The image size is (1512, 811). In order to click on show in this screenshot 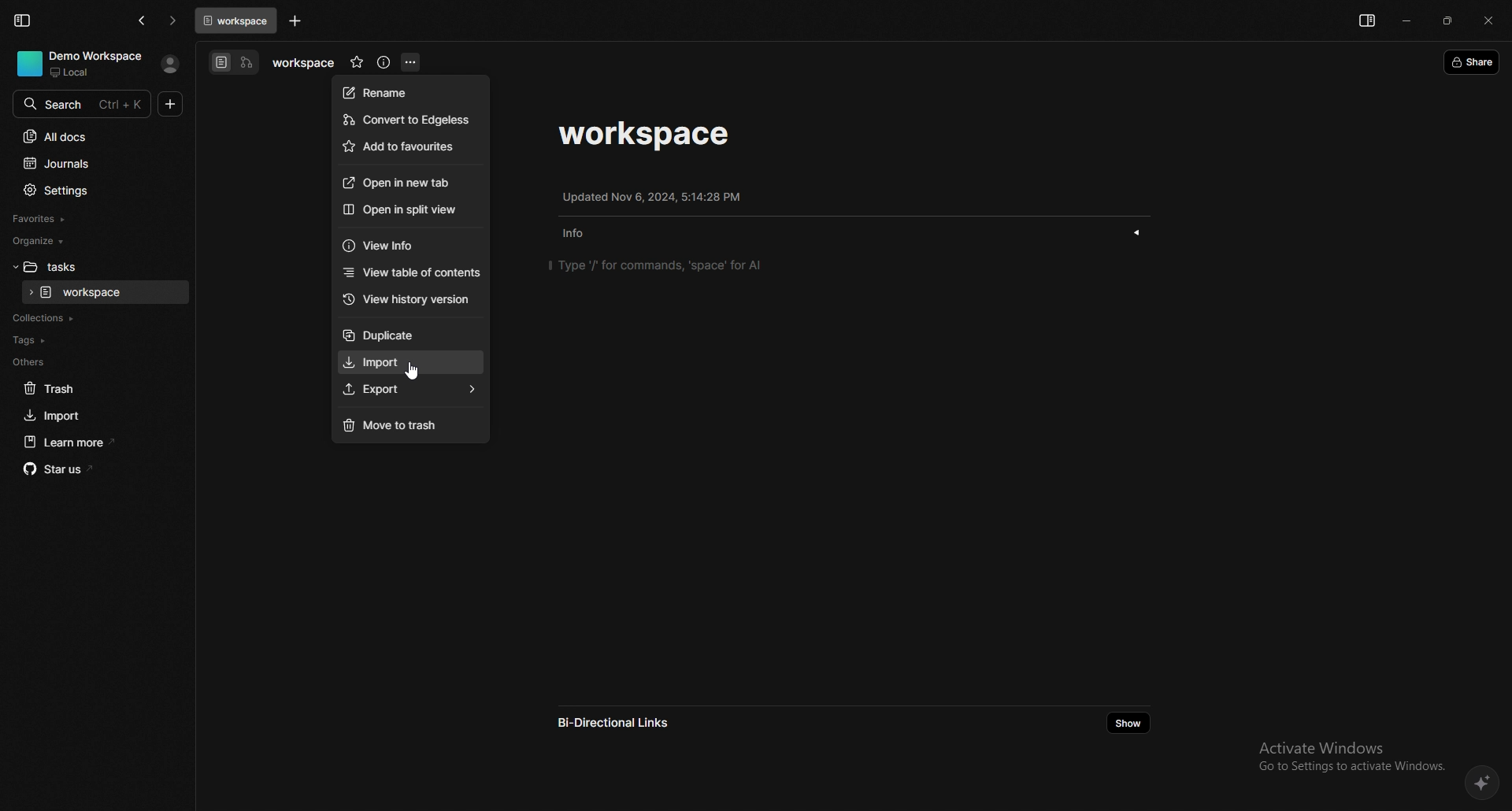, I will do `click(1137, 232)`.